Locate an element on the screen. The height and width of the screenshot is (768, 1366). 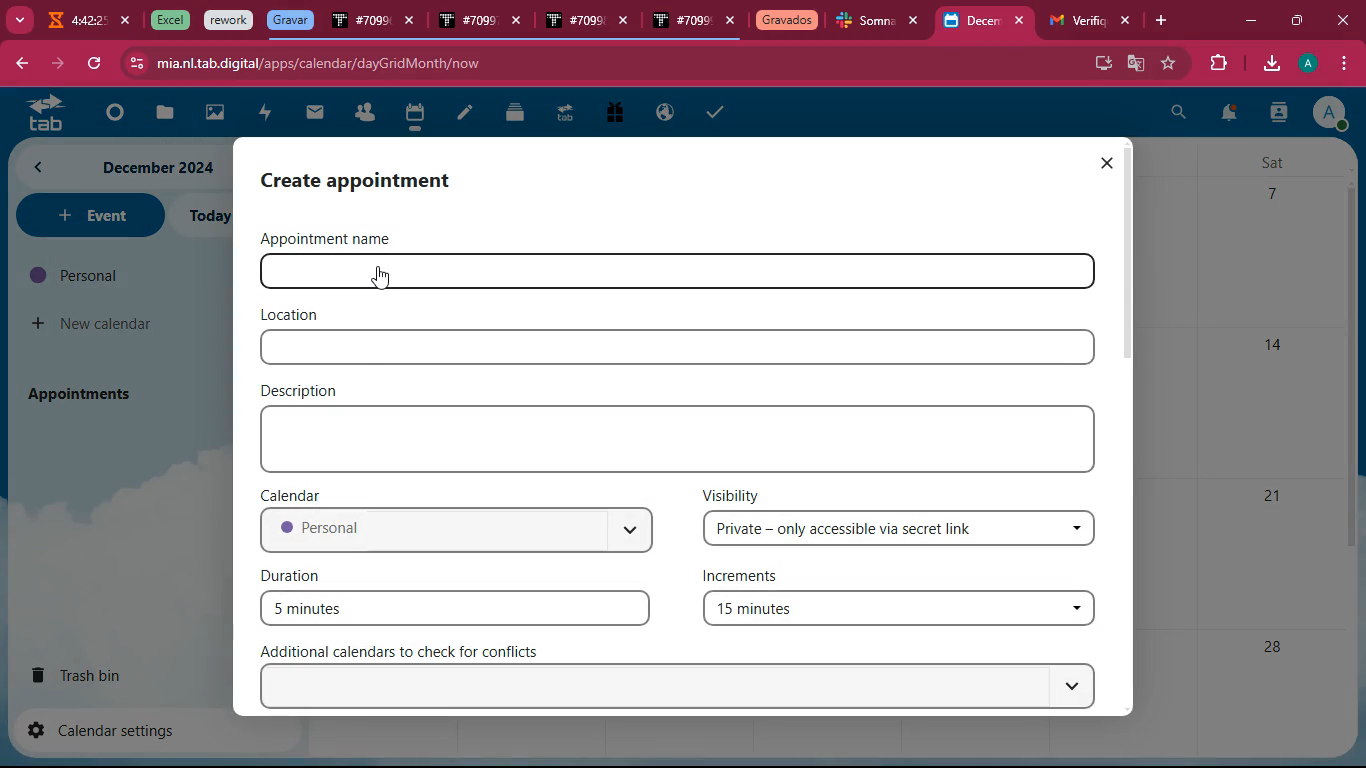
appointment name is located at coordinates (340, 238).